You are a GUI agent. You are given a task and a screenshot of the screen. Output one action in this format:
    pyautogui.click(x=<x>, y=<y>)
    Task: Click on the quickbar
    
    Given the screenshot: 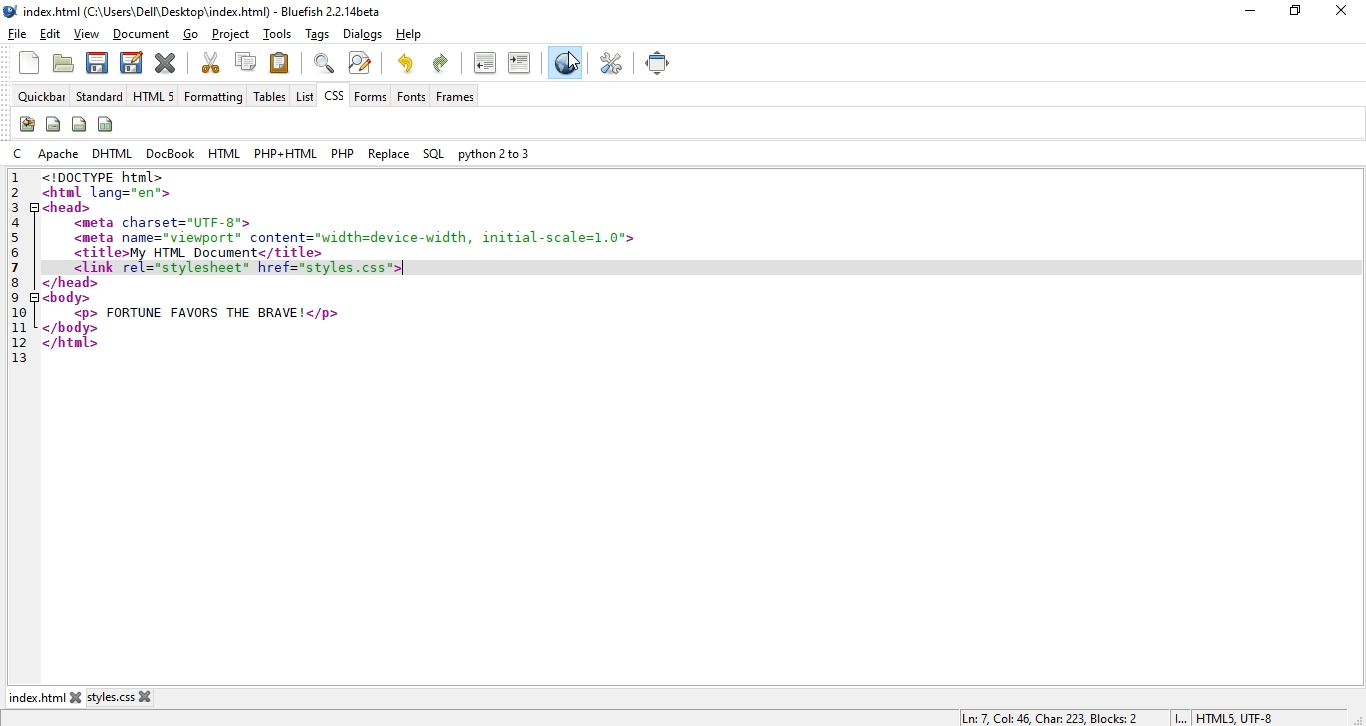 What is the action you would take?
    pyautogui.click(x=44, y=97)
    